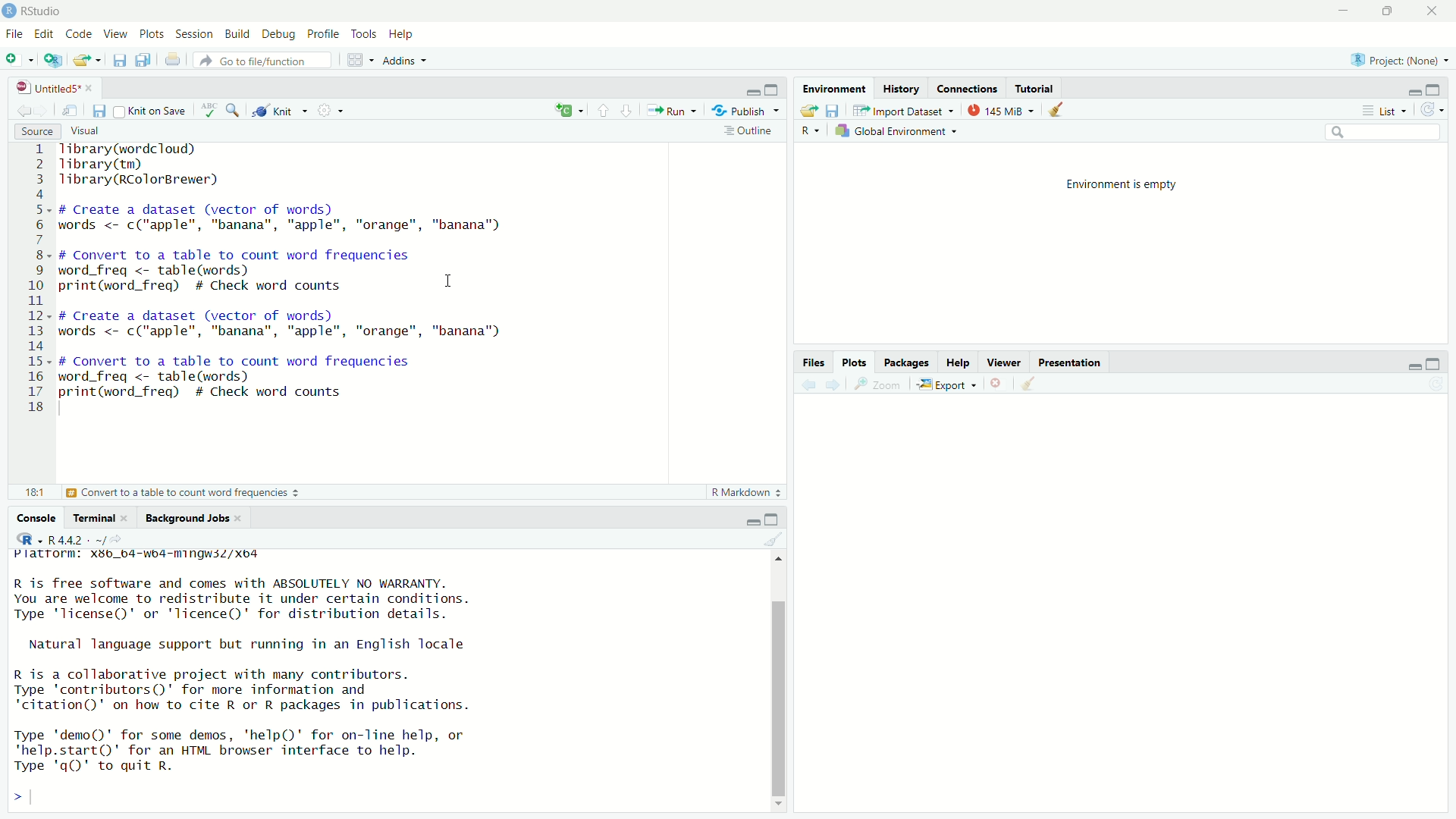  I want to click on Maximize, so click(773, 519).